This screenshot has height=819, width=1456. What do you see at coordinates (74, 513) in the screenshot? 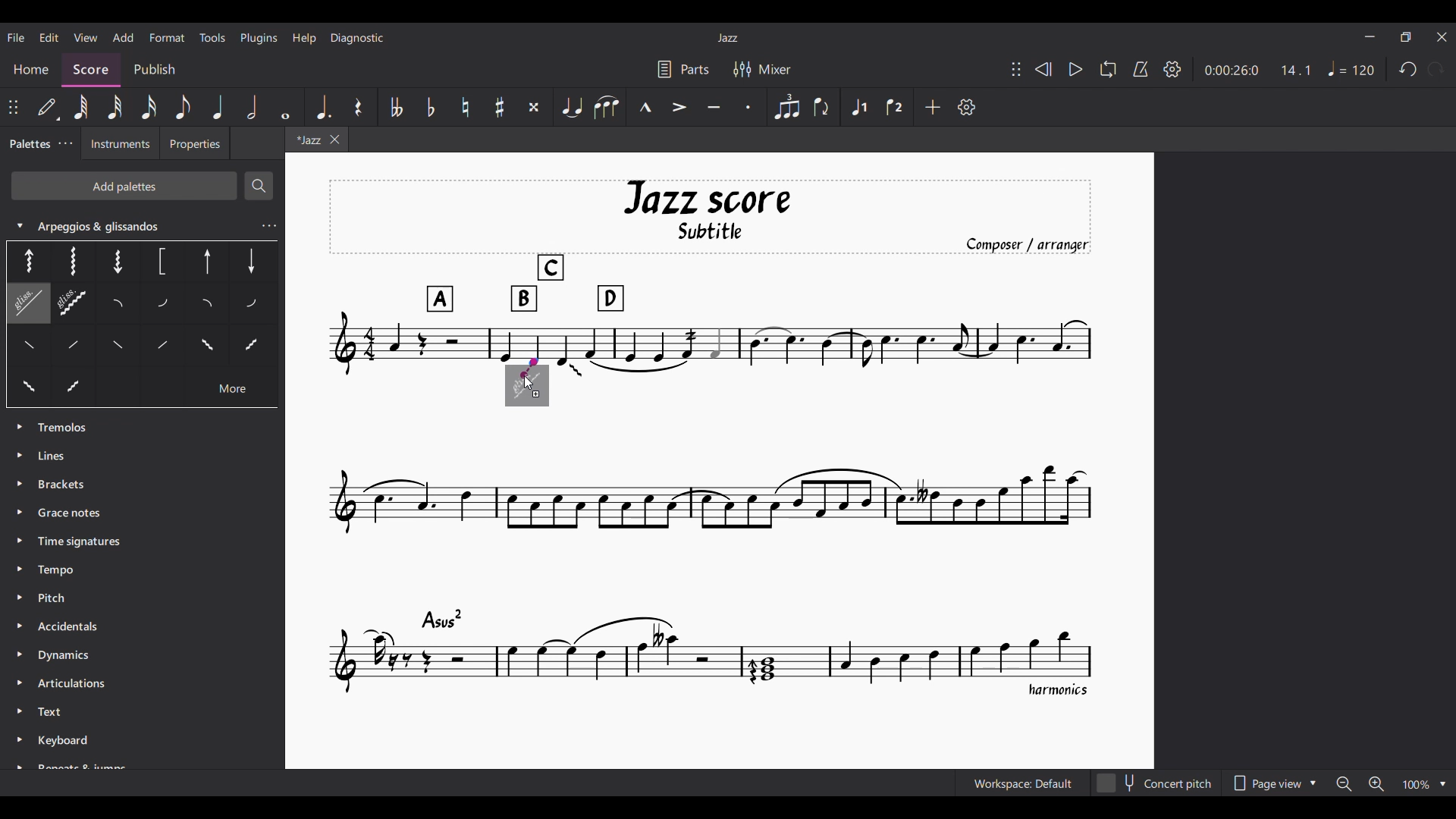
I see `Grace Note` at bounding box center [74, 513].